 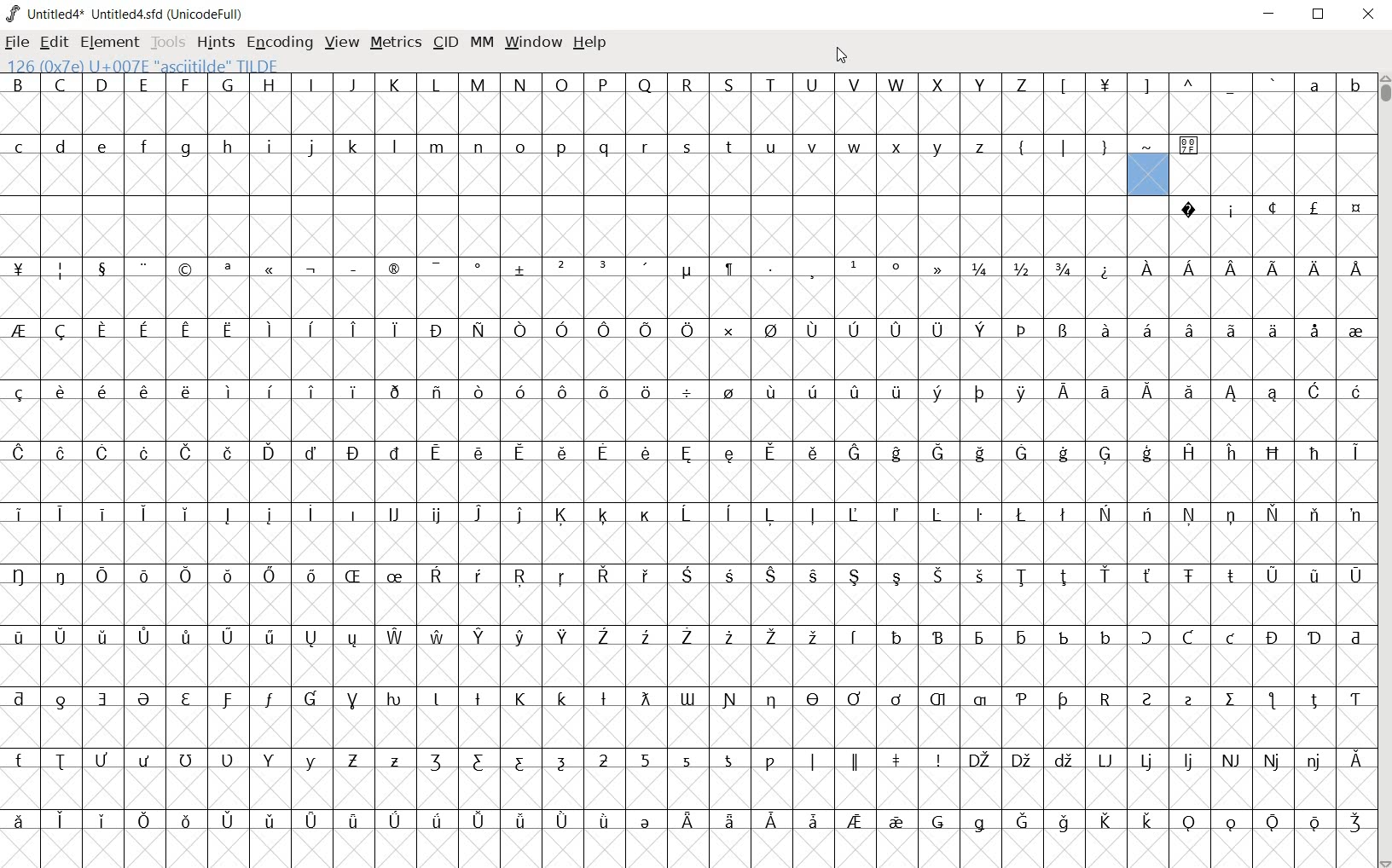 What do you see at coordinates (339, 42) in the screenshot?
I see `VIEW` at bounding box center [339, 42].